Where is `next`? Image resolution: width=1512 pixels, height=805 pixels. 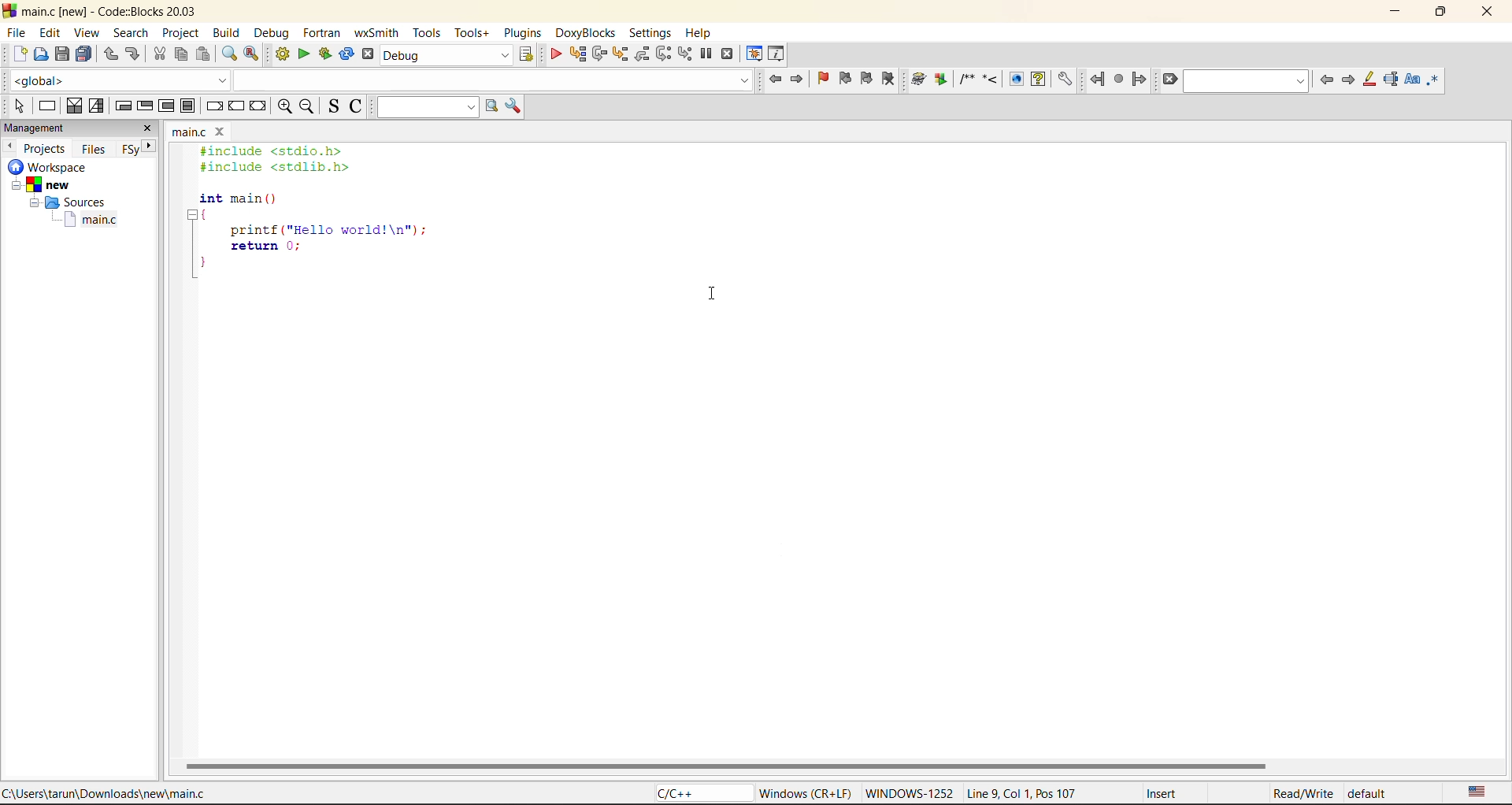
next is located at coordinates (1349, 80).